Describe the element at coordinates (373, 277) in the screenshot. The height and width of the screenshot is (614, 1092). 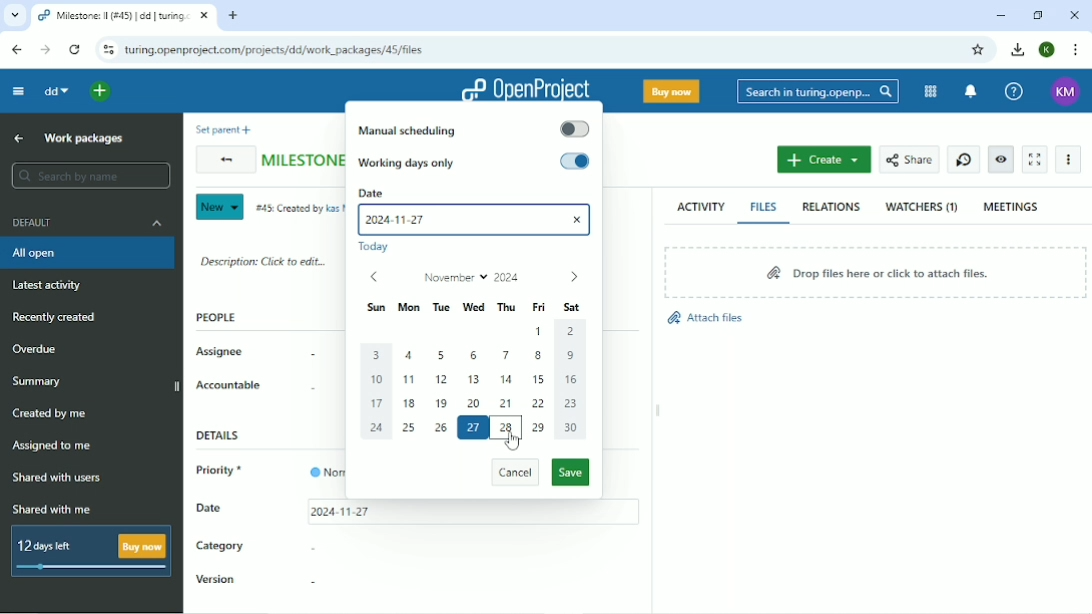
I see `Previous month` at that location.